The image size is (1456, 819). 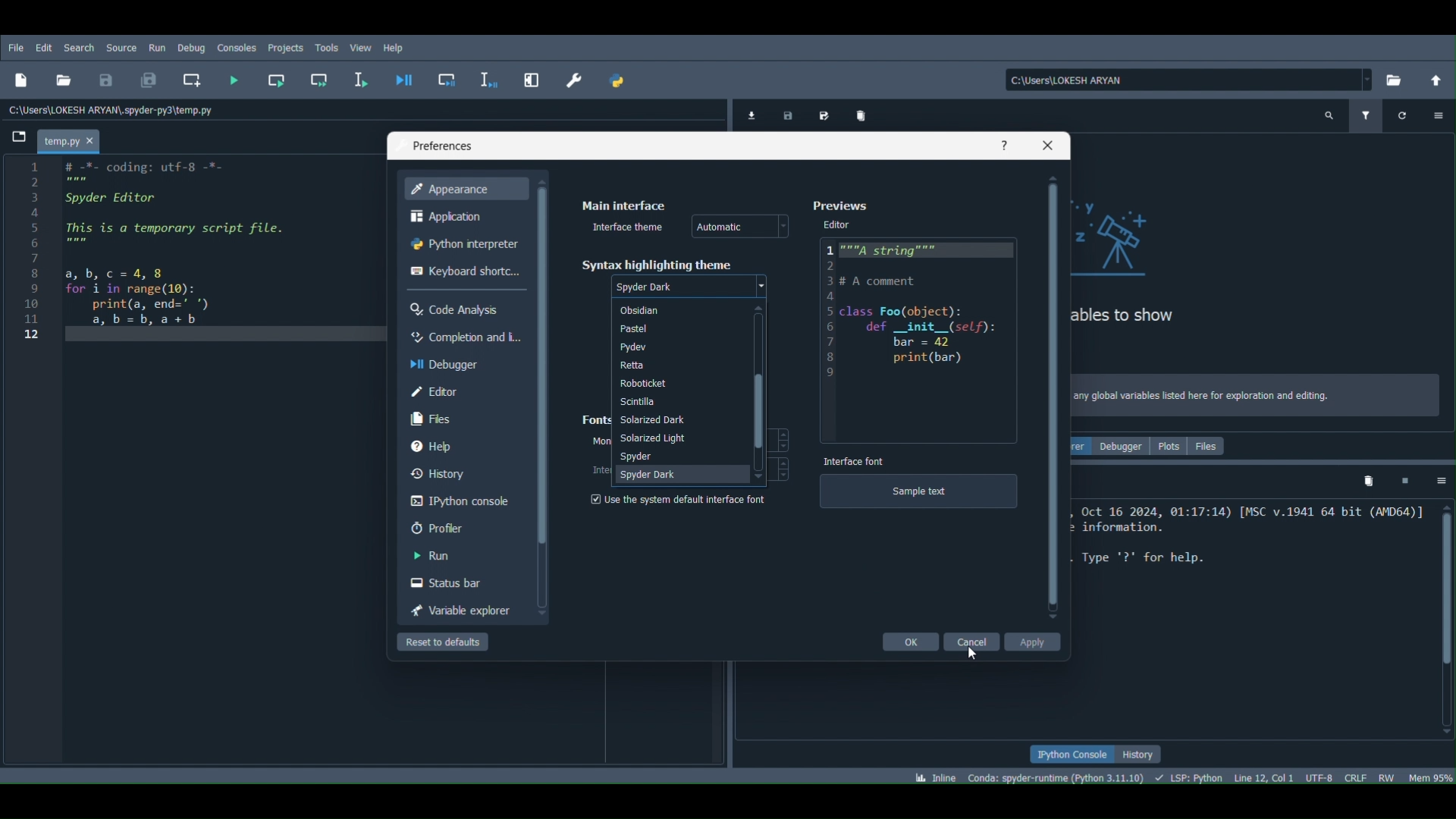 What do you see at coordinates (541, 396) in the screenshot?
I see `Scrollbar` at bounding box center [541, 396].